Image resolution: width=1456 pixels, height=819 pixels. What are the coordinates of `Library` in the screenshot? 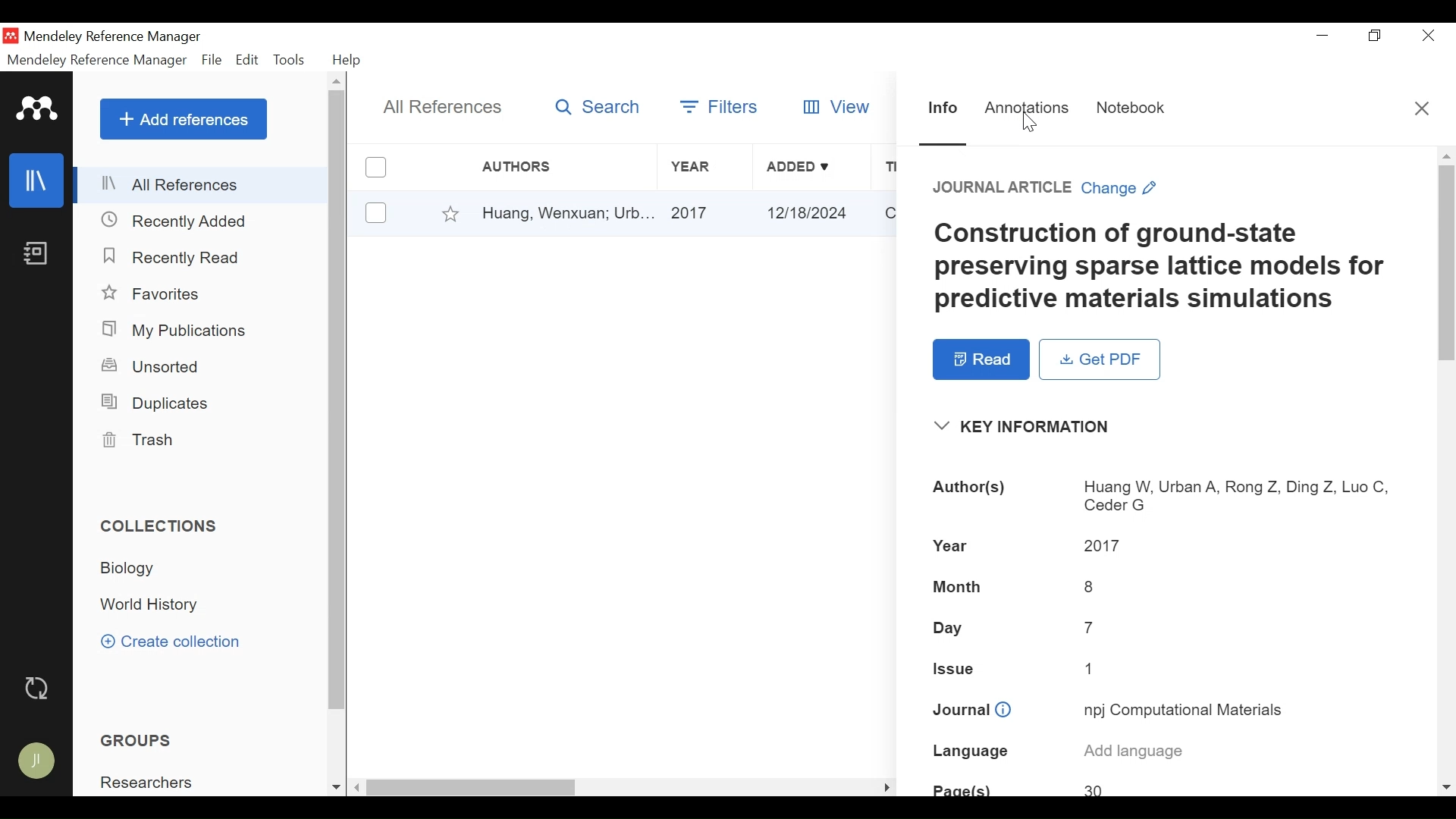 It's located at (35, 180).